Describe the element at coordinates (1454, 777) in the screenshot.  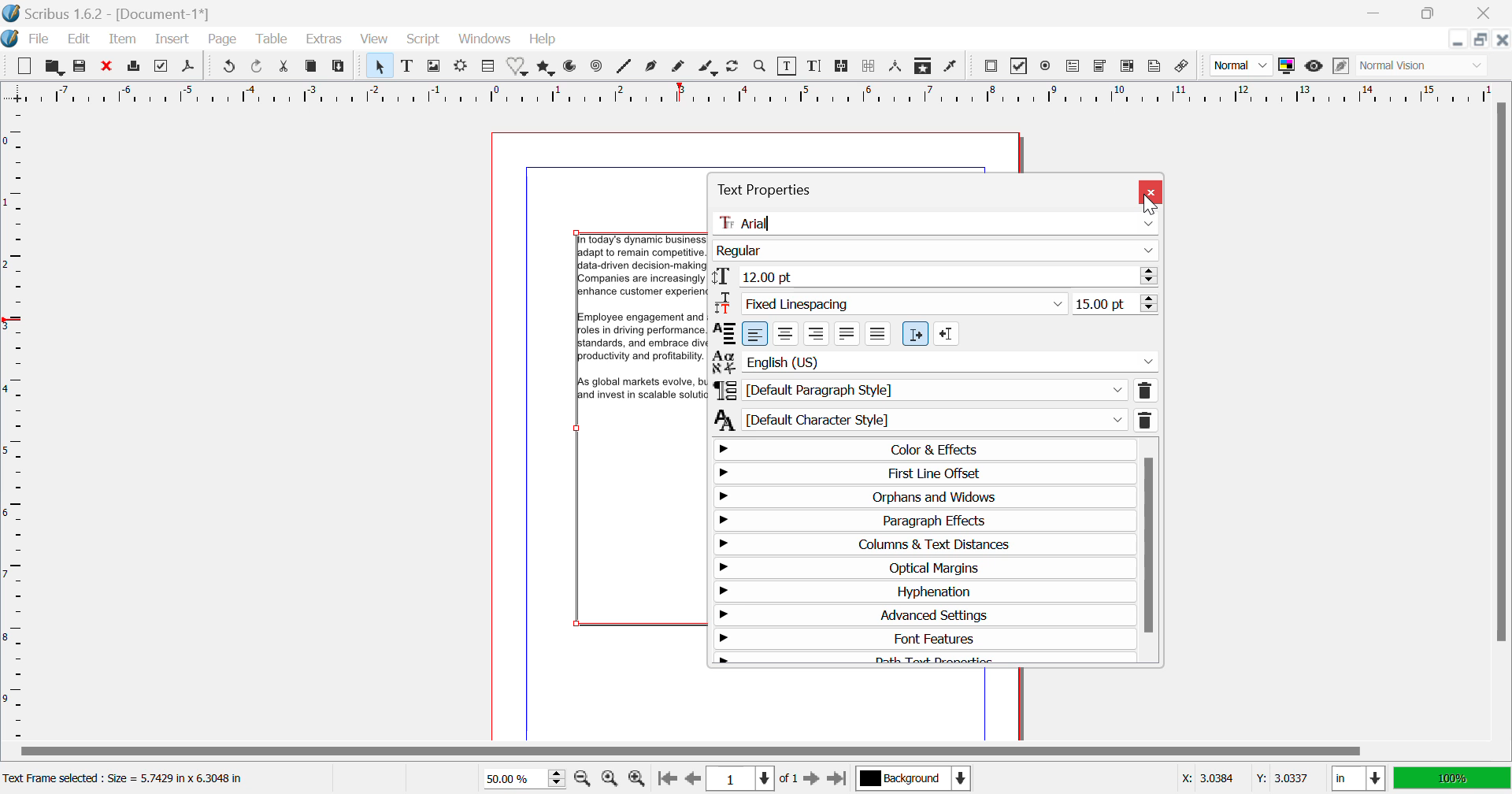
I see `Display Appearance` at that location.